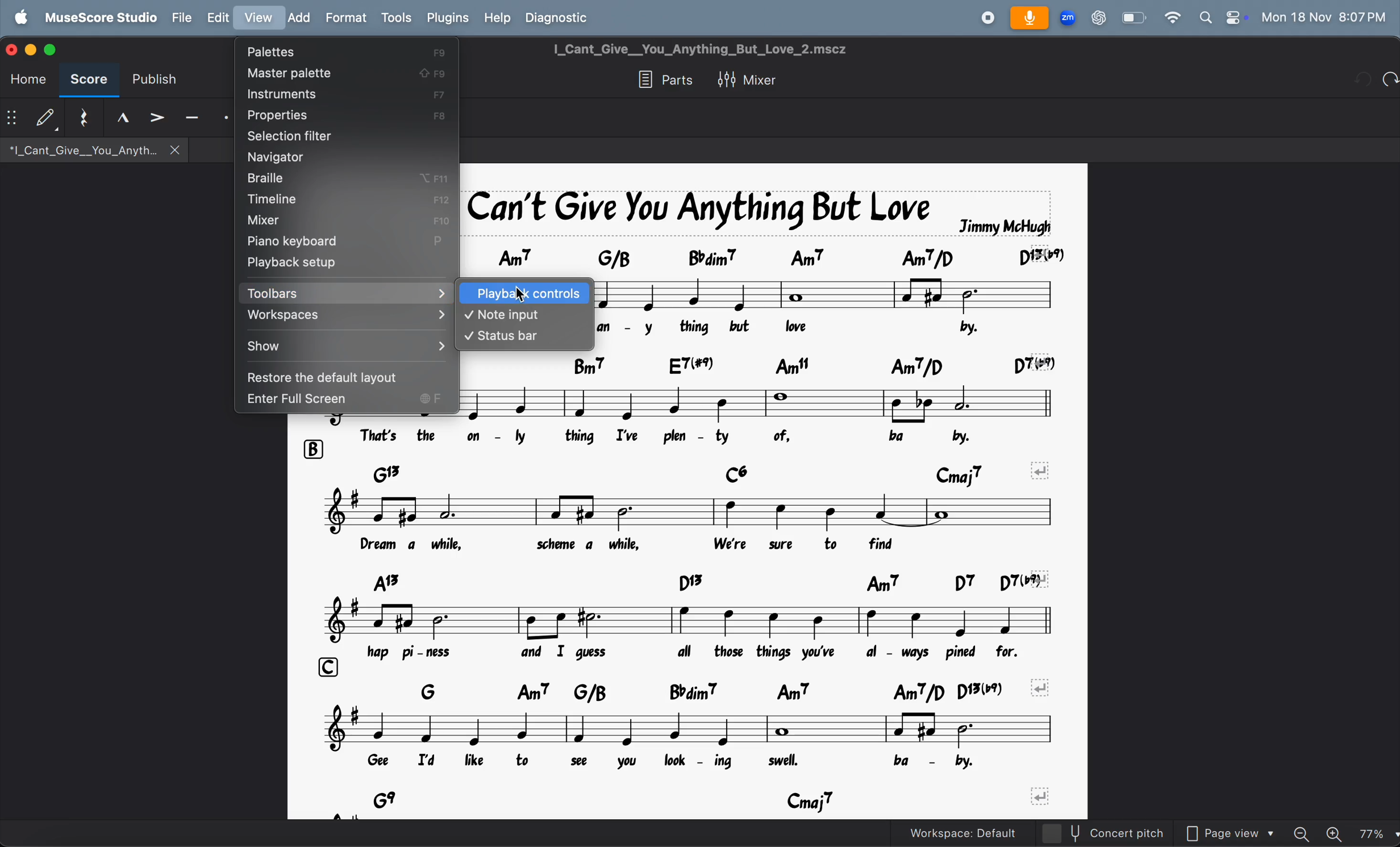  What do you see at coordinates (1069, 16) in the screenshot?
I see `zoom` at bounding box center [1069, 16].